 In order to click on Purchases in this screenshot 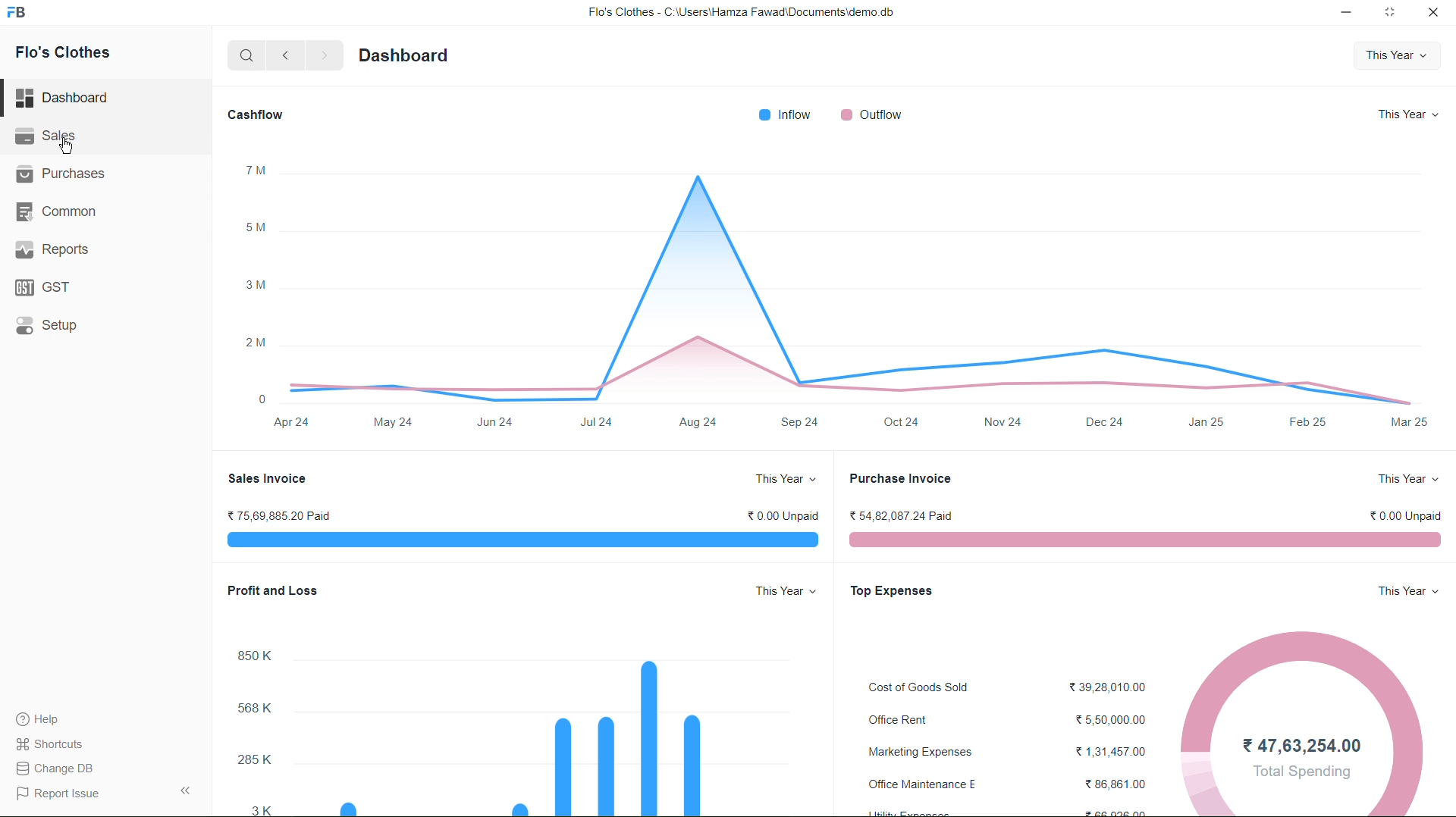, I will do `click(58, 173)`.